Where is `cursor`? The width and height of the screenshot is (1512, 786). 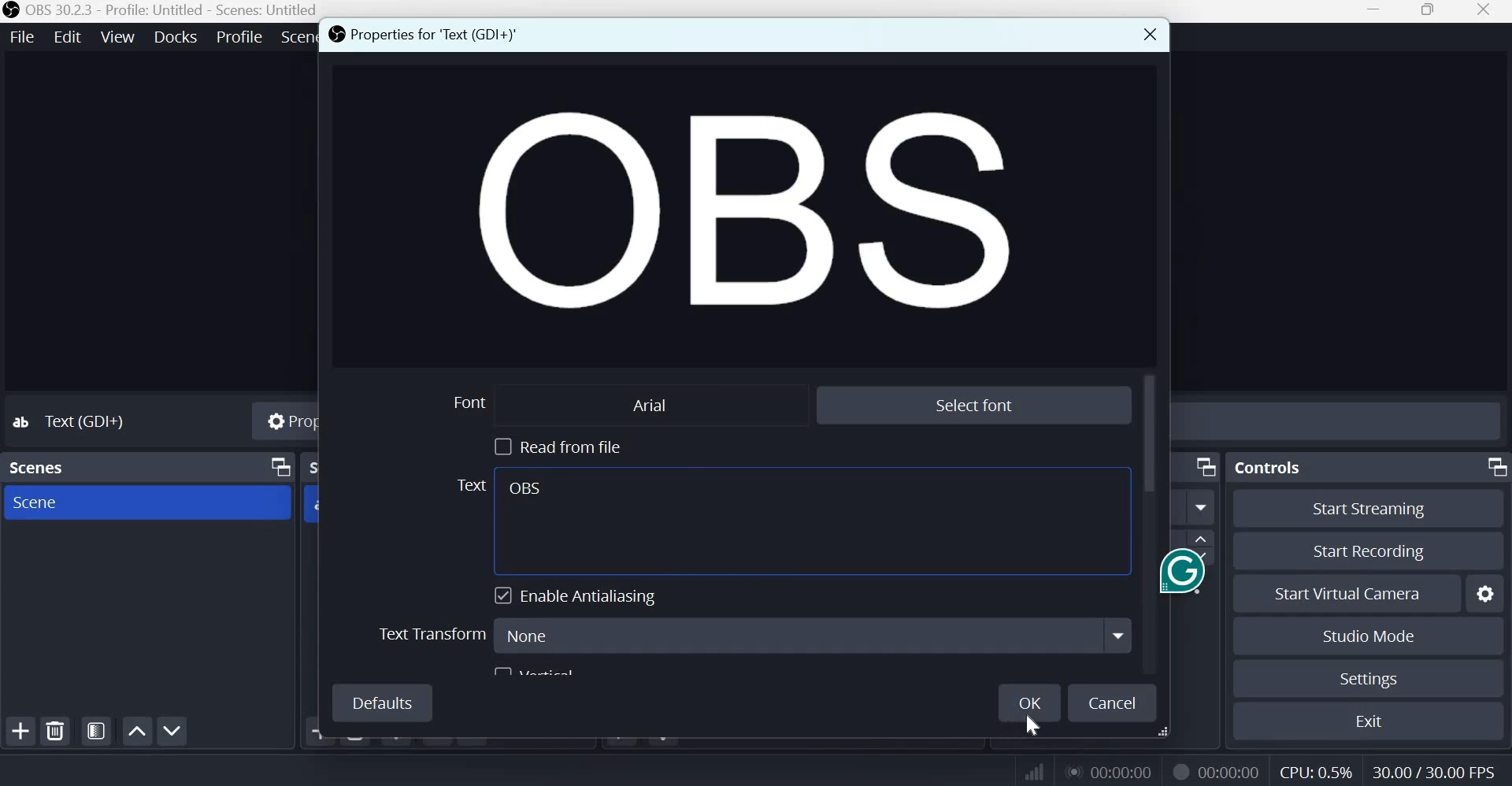
cursor is located at coordinates (1035, 727).